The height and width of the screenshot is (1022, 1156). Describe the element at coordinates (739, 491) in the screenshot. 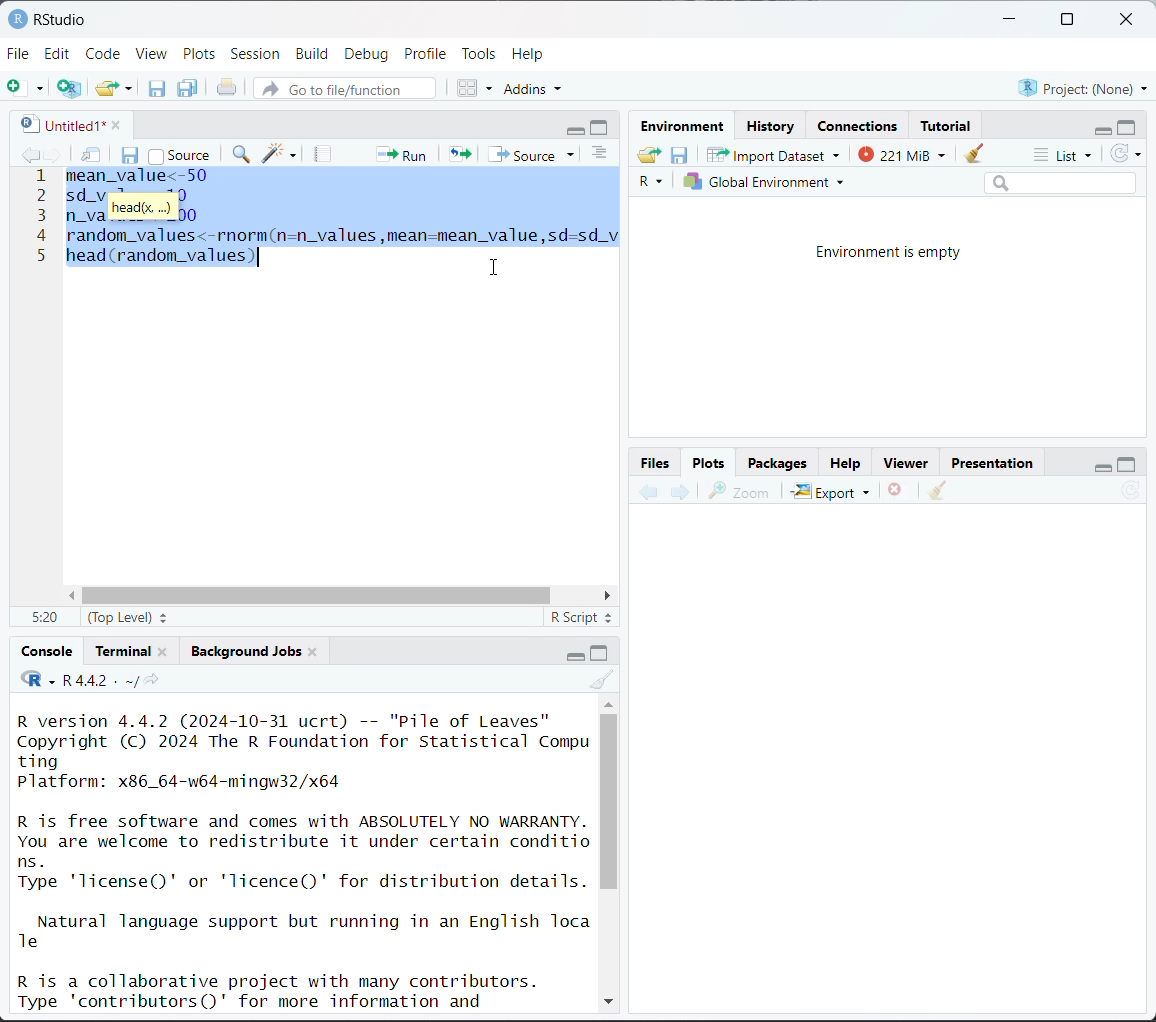

I see `zoom` at that location.